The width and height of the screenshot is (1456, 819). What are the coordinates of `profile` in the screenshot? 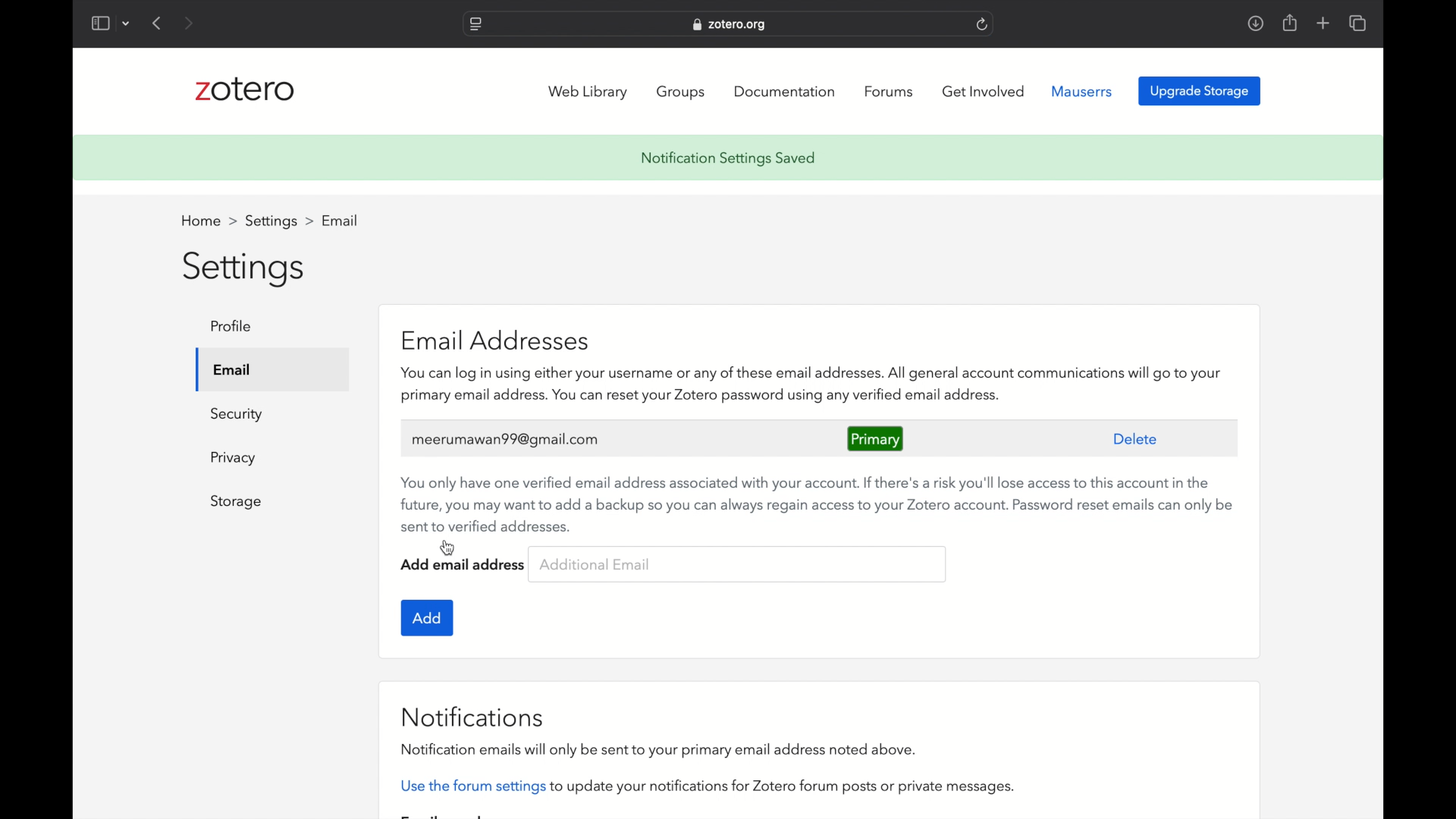 It's located at (231, 325).